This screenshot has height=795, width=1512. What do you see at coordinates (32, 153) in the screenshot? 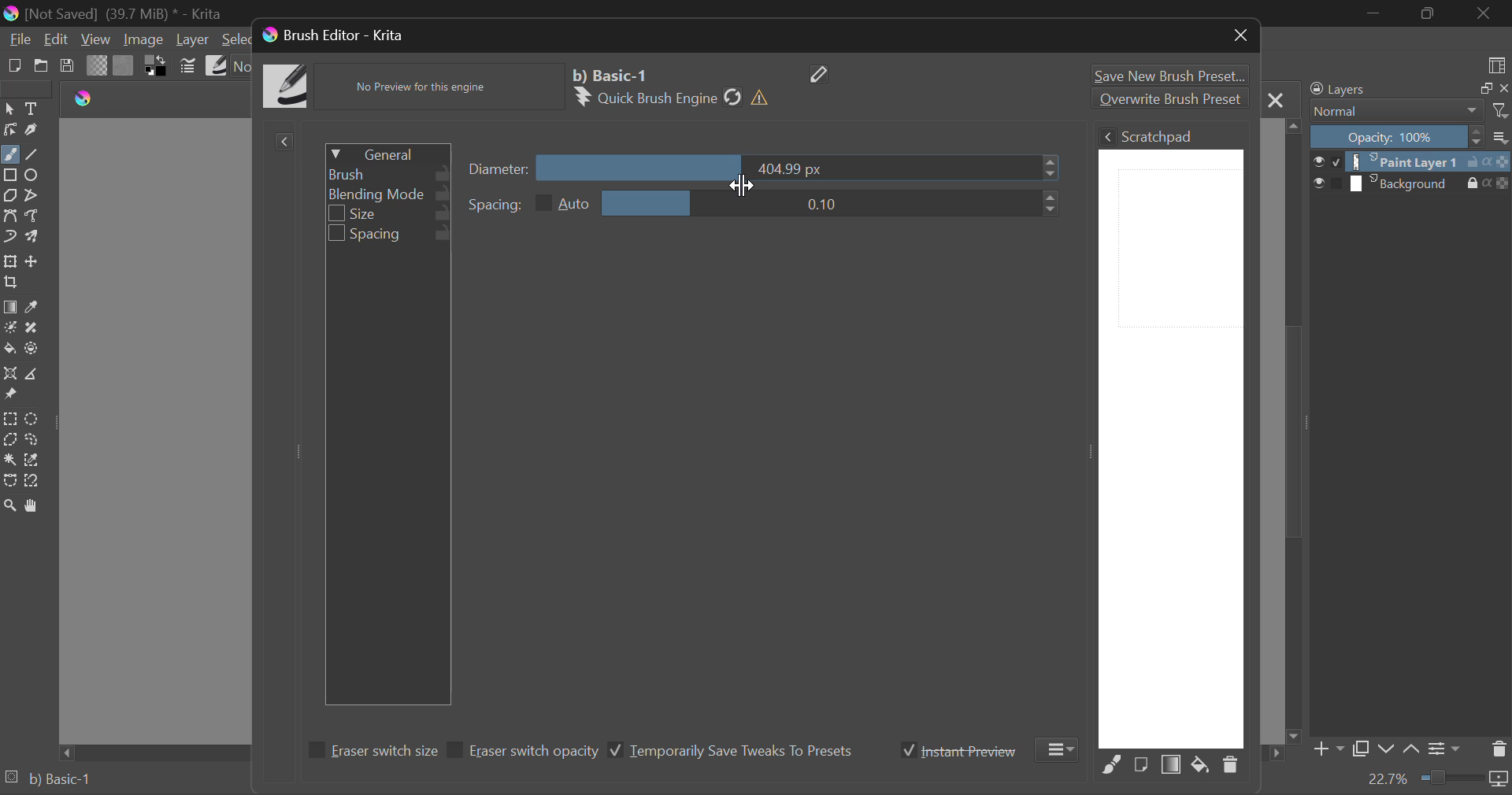
I see `Line` at bounding box center [32, 153].